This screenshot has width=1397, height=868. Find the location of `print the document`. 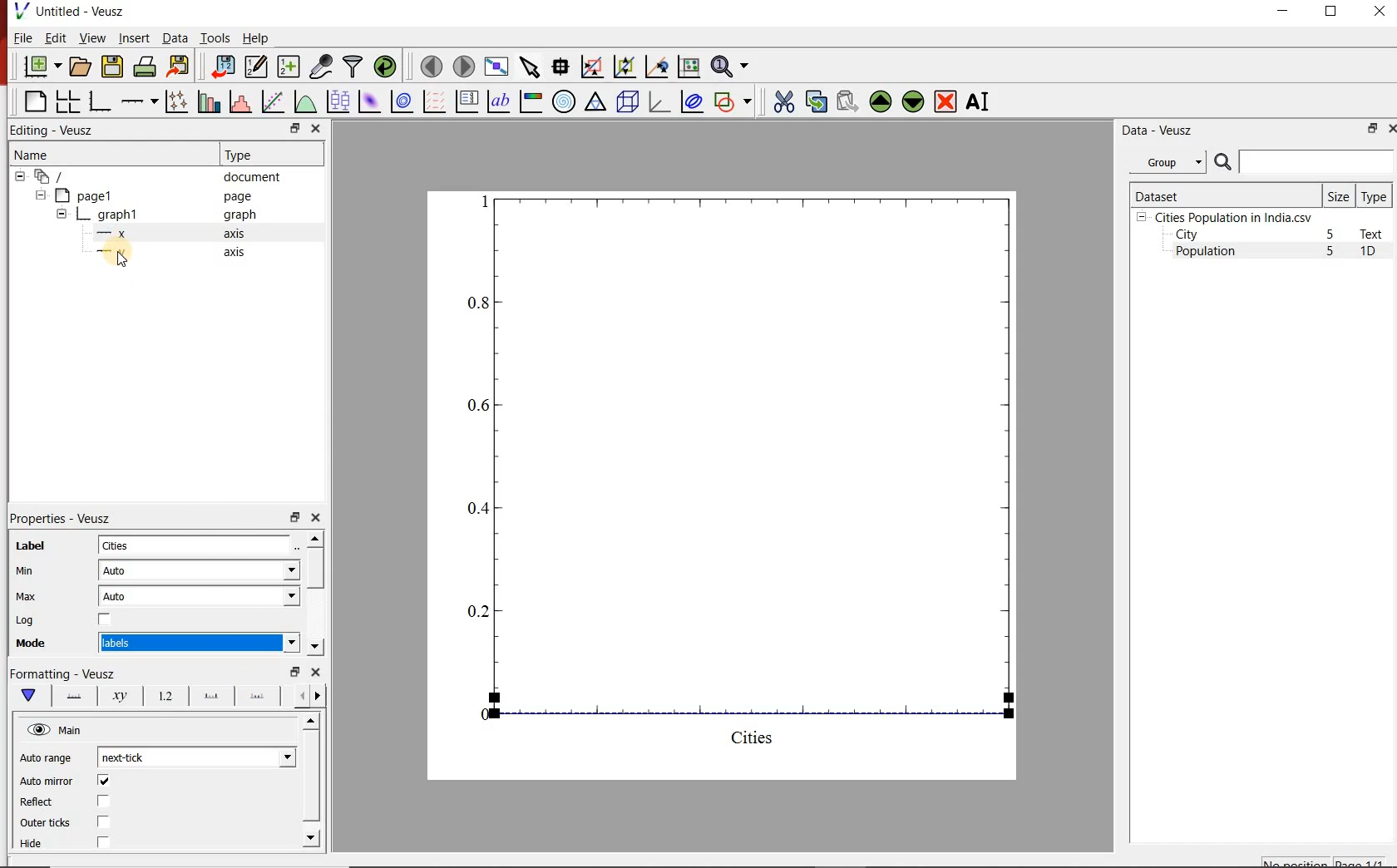

print the document is located at coordinates (144, 67).